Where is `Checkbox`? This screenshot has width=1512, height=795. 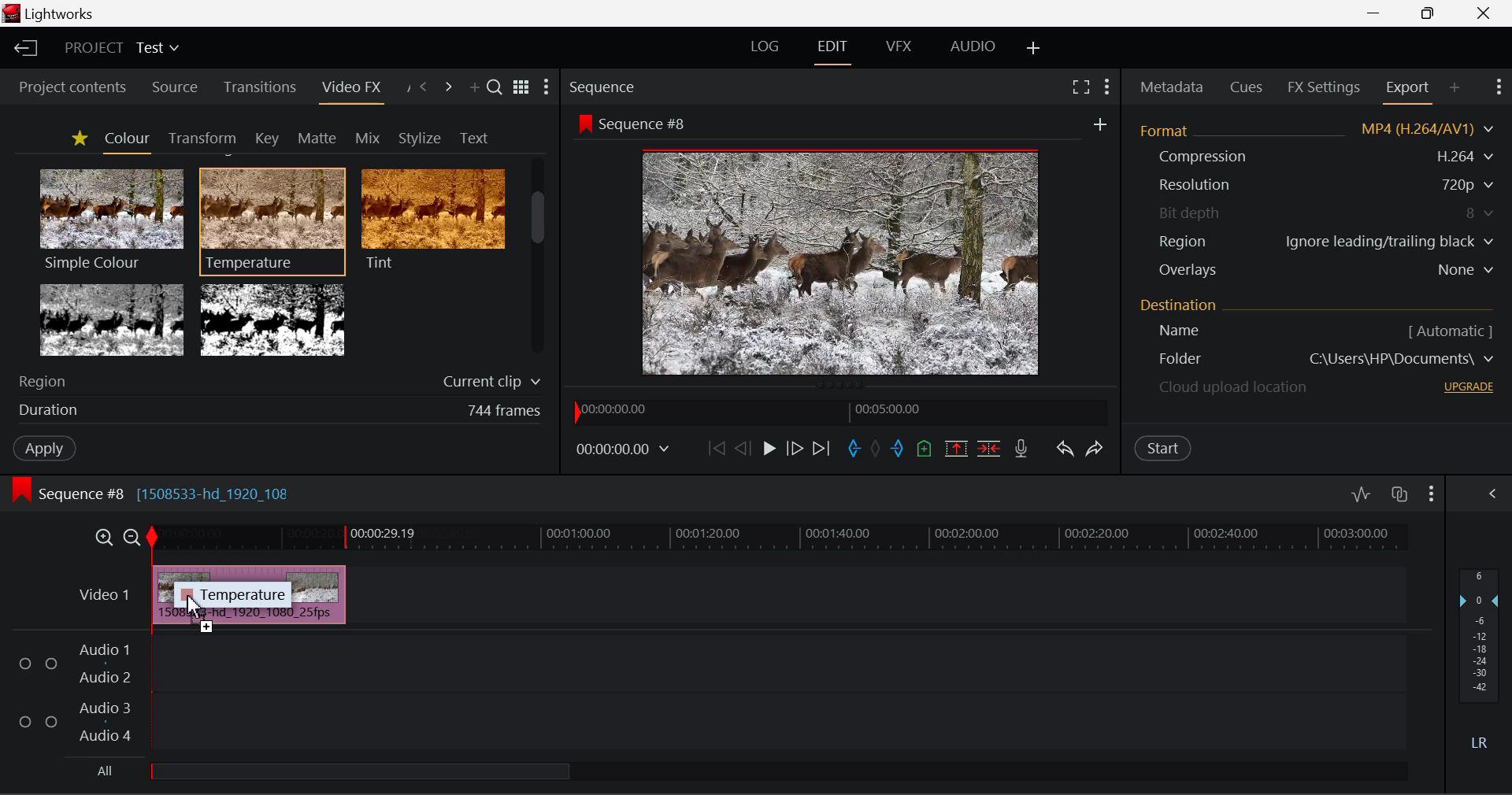 Checkbox is located at coordinates (50, 720).